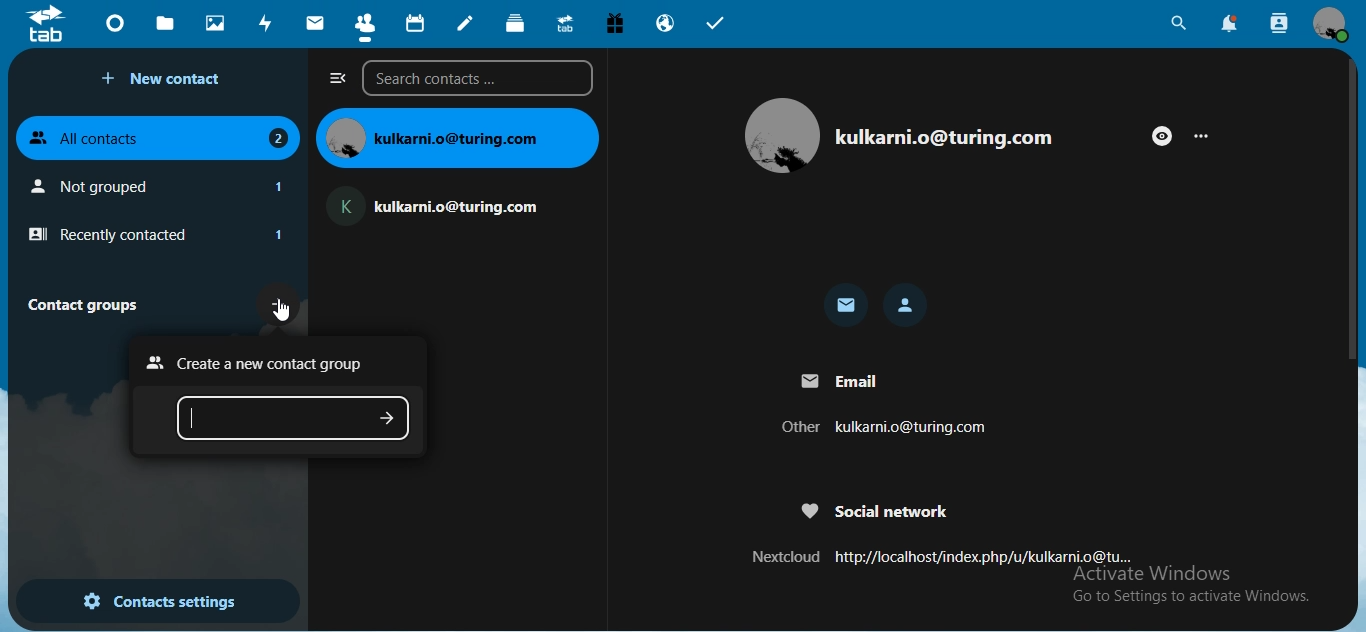 The image size is (1366, 632). What do you see at coordinates (875, 509) in the screenshot?
I see `® Social network` at bounding box center [875, 509].